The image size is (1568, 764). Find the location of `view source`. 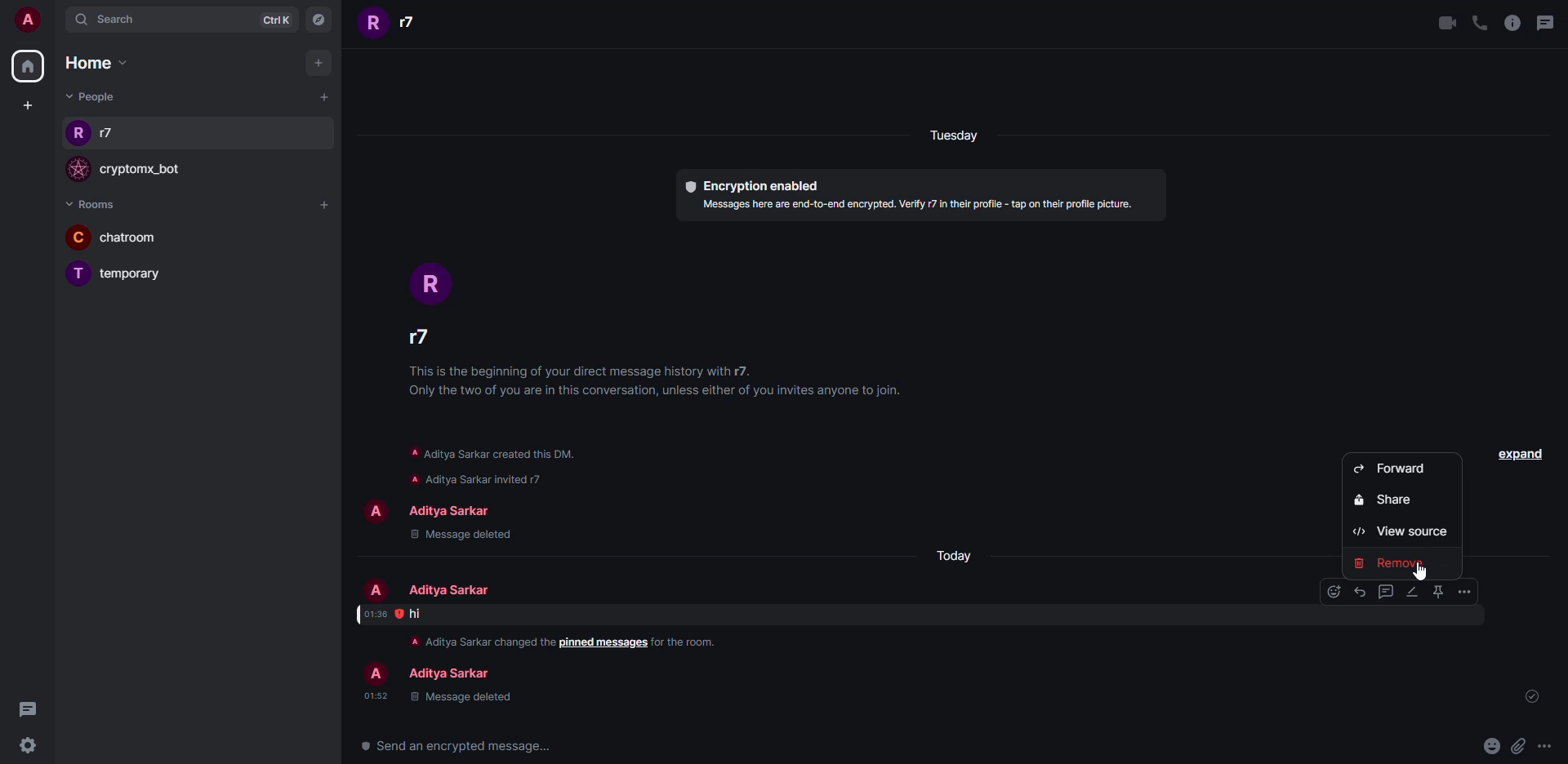

view source is located at coordinates (1399, 531).